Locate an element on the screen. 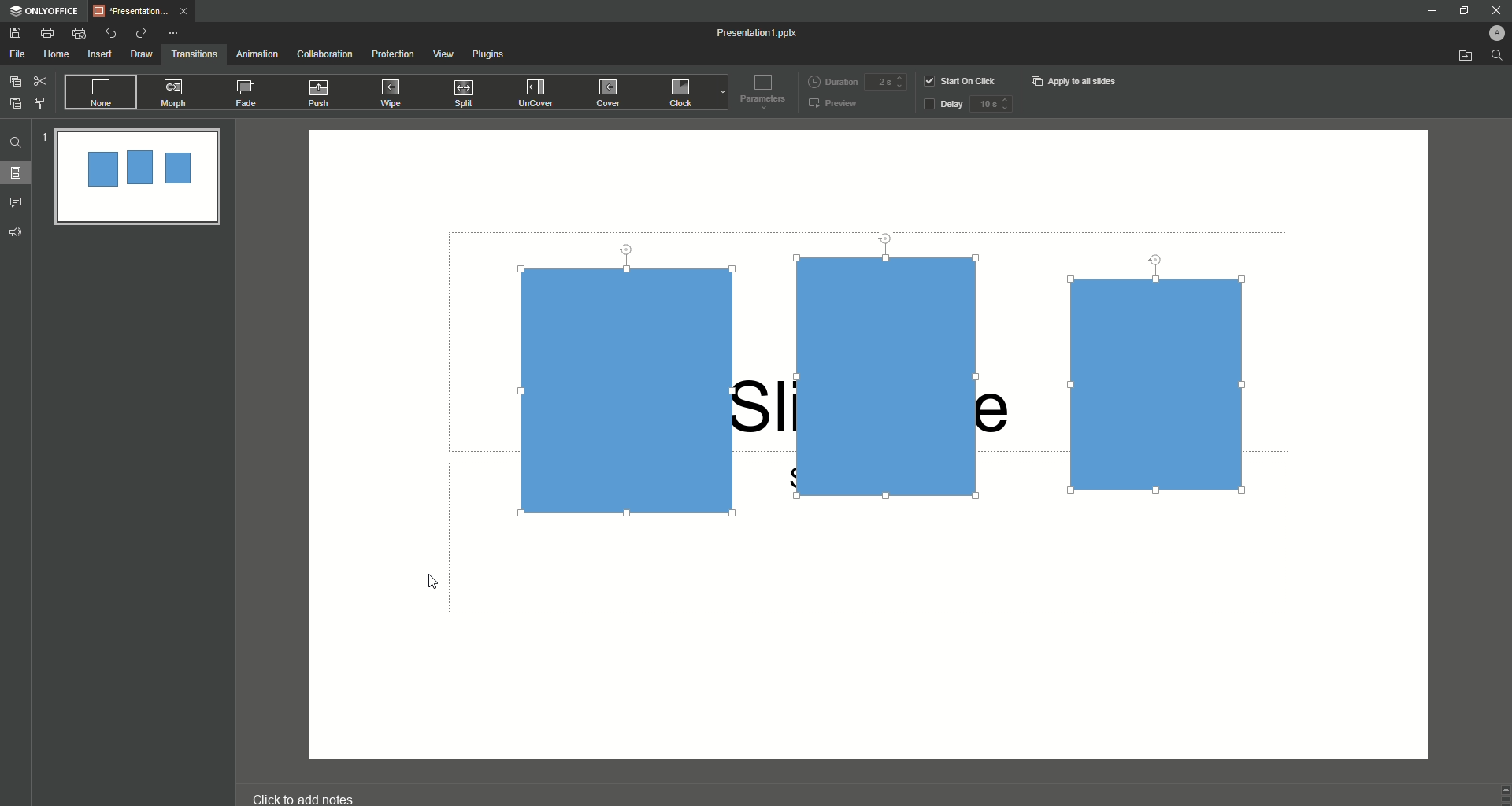 The width and height of the screenshot is (1512, 806). Cut is located at coordinates (40, 80).